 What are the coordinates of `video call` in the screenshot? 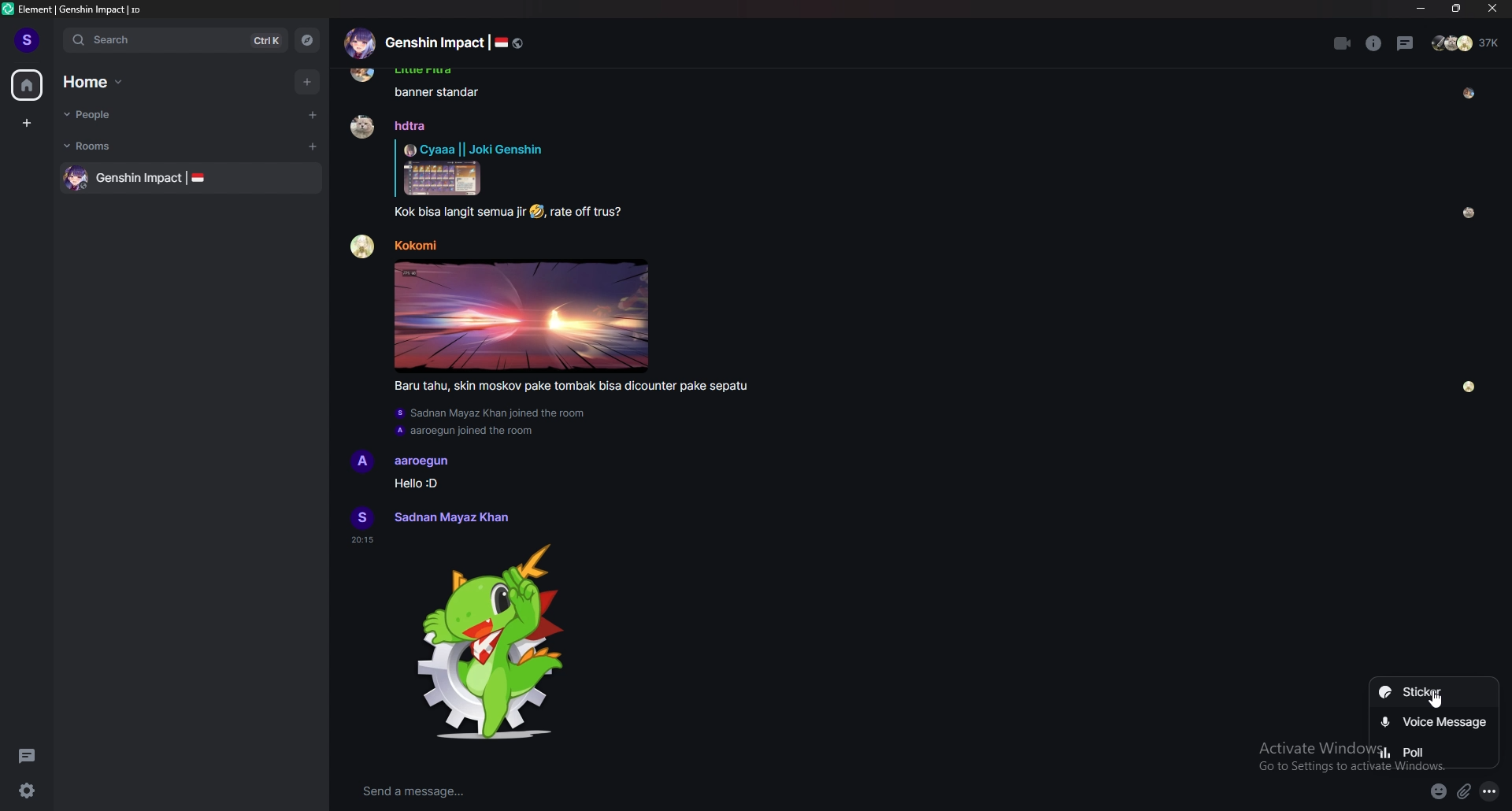 It's located at (1343, 43).